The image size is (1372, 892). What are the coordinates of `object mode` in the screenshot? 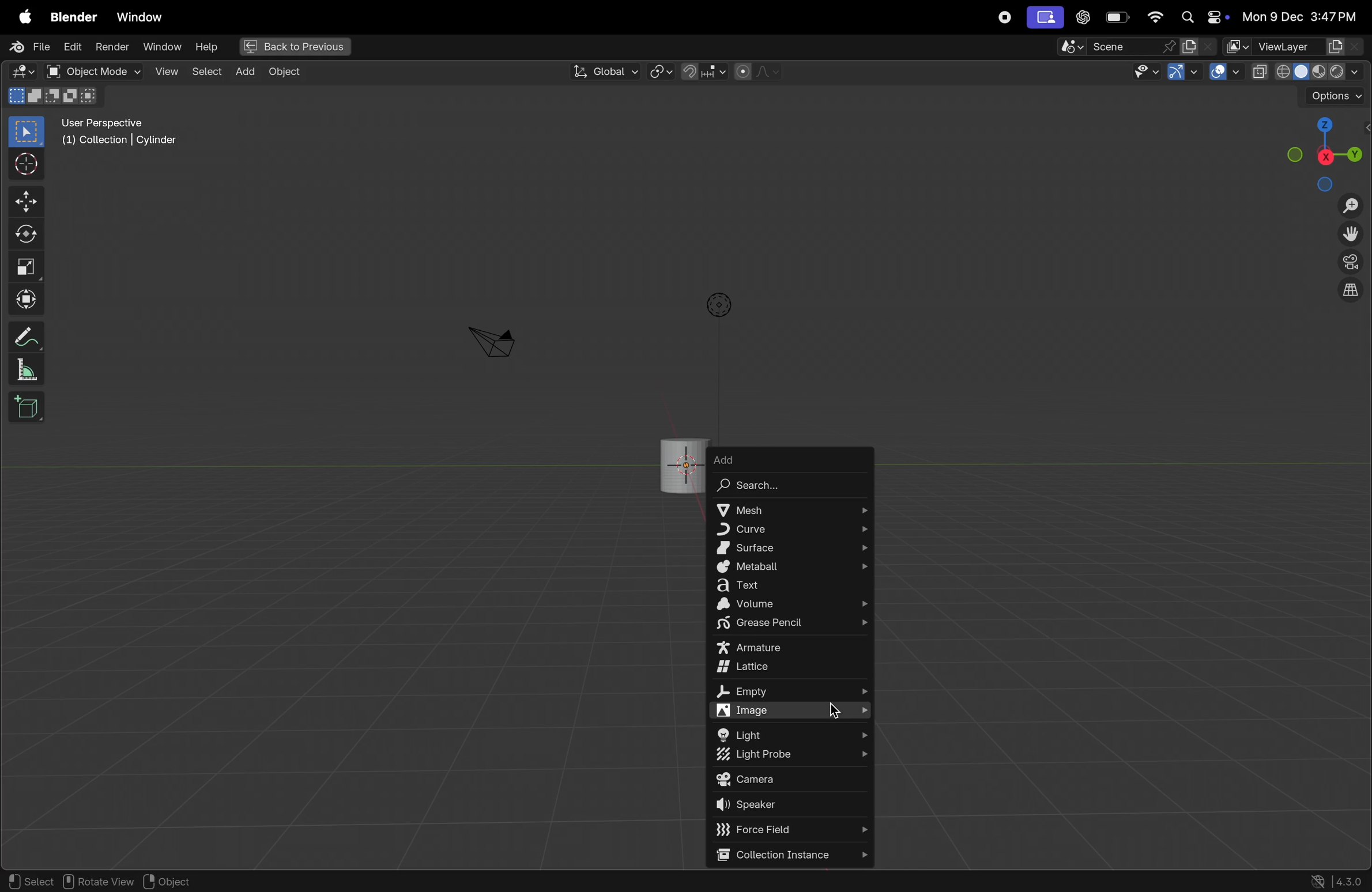 It's located at (91, 71).